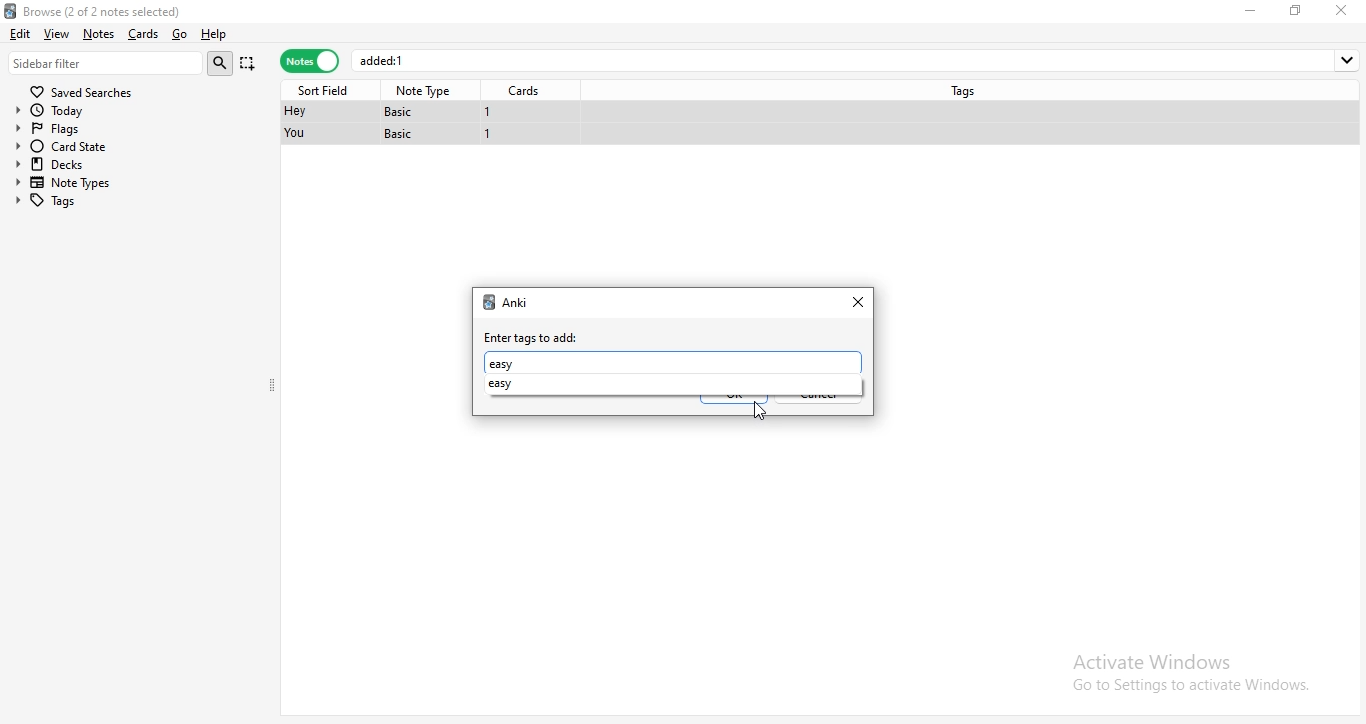 The width and height of the screenshot is (1366, 724). What do you see at coordinates (510, 384) in the screenshot?
I see `easy` at bounding box center [510, 384].